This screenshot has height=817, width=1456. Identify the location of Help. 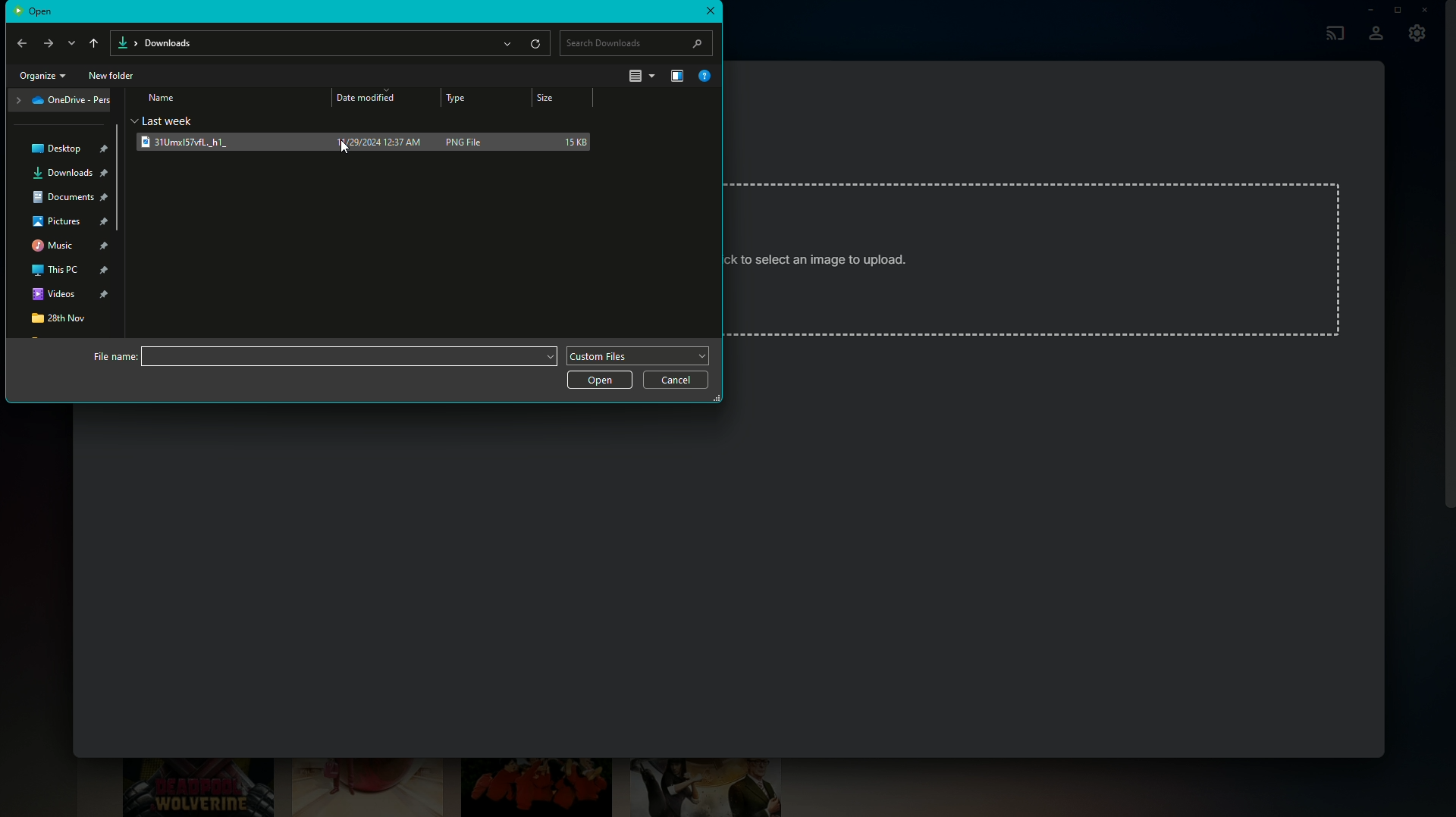
(707, 76).